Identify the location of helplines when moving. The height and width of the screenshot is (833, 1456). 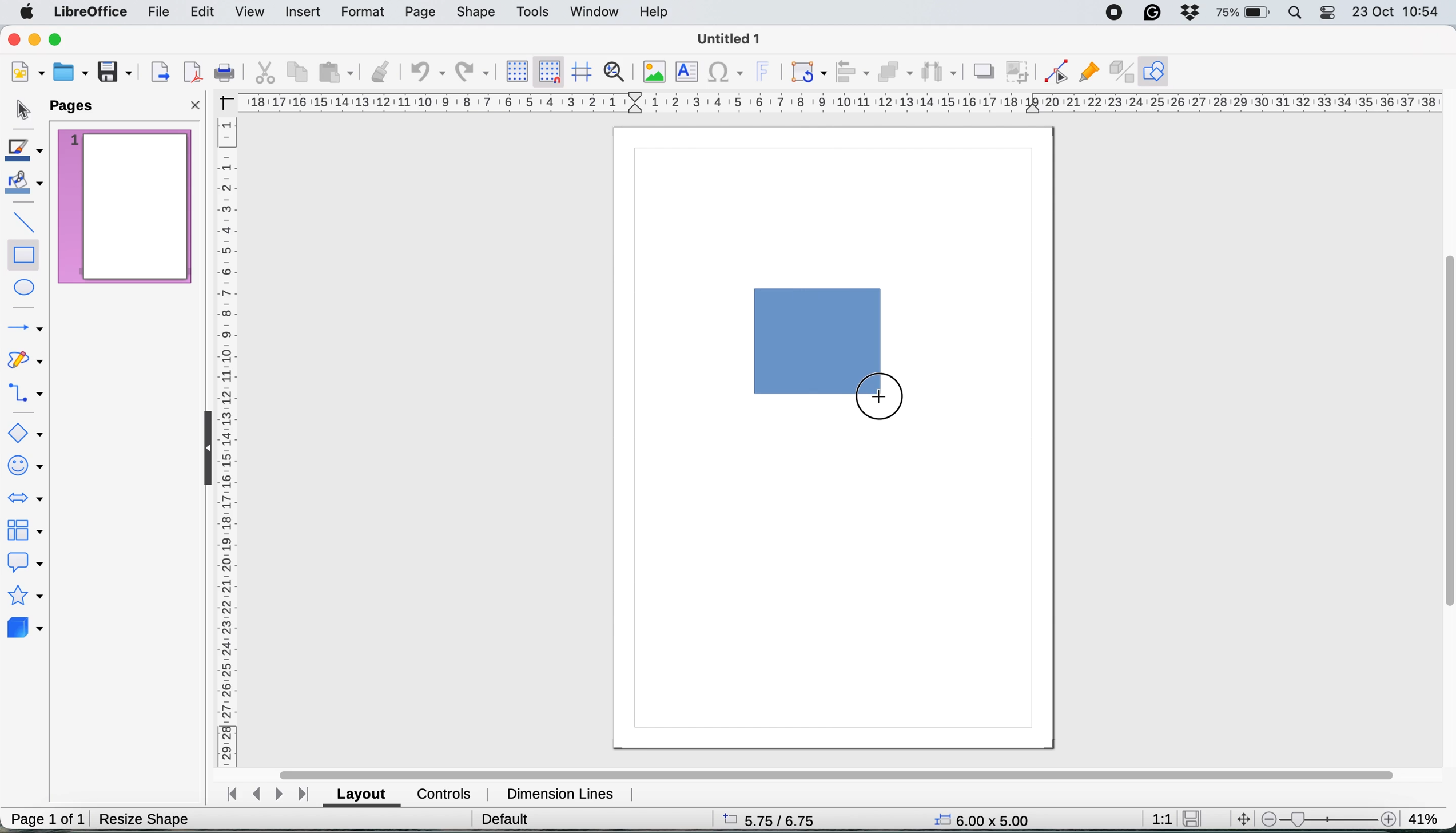
(583, 73).